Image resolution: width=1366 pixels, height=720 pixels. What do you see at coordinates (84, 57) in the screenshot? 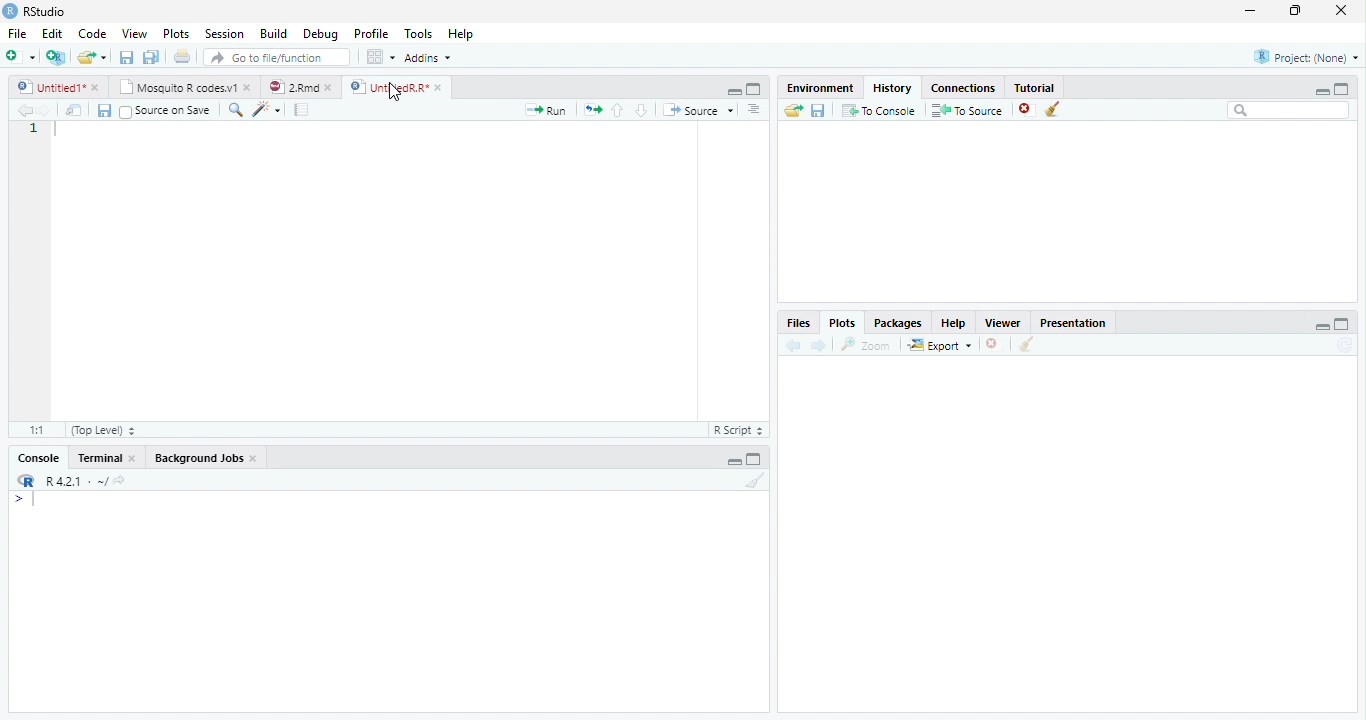
I see `Open an existing file` at bounding box center [84, 57].